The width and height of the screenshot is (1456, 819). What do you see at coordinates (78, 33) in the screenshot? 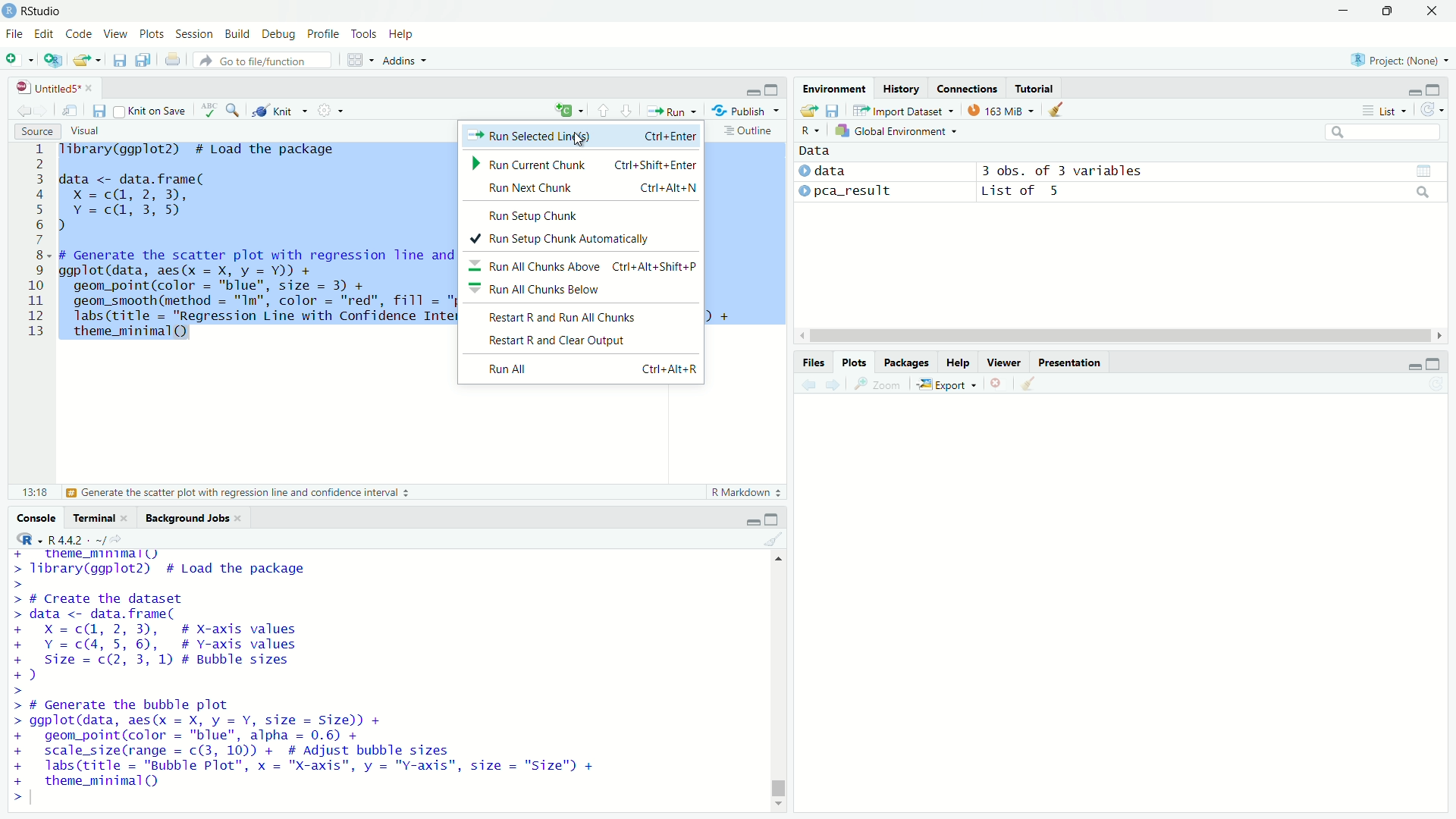
I see `Code` at bounding box center [78, 33].